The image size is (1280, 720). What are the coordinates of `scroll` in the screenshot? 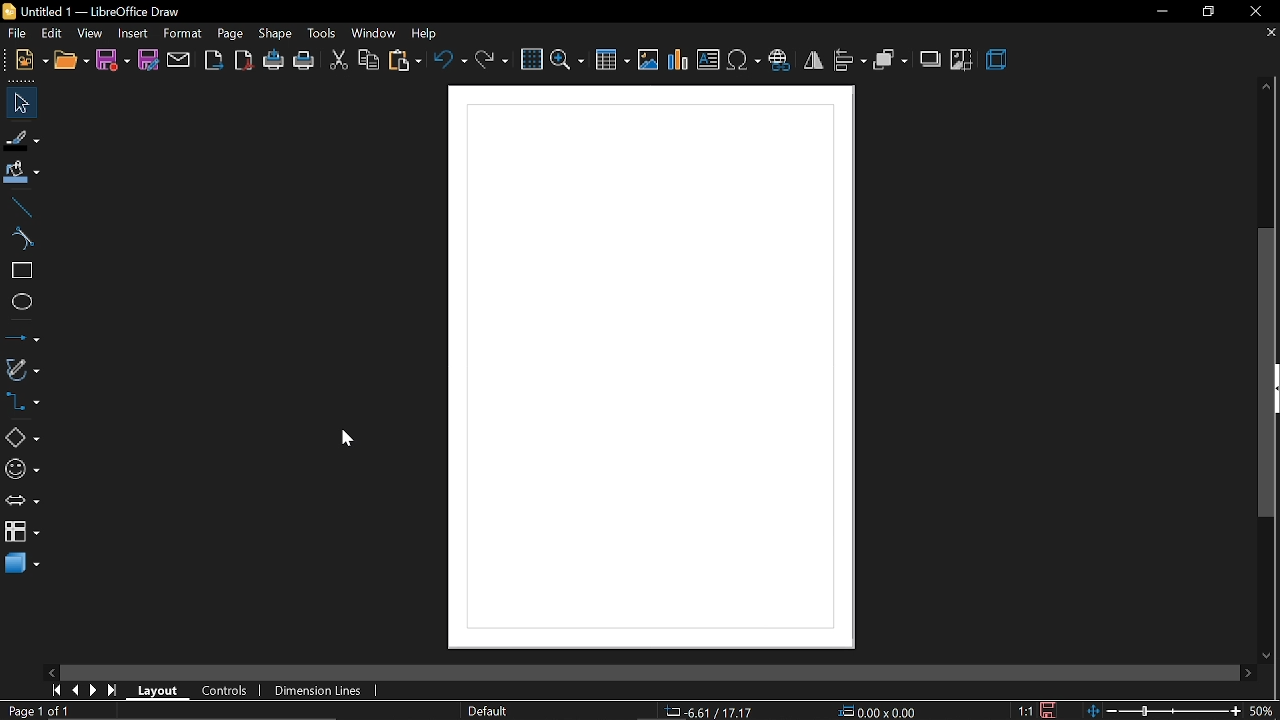 It's located at (641, 668).